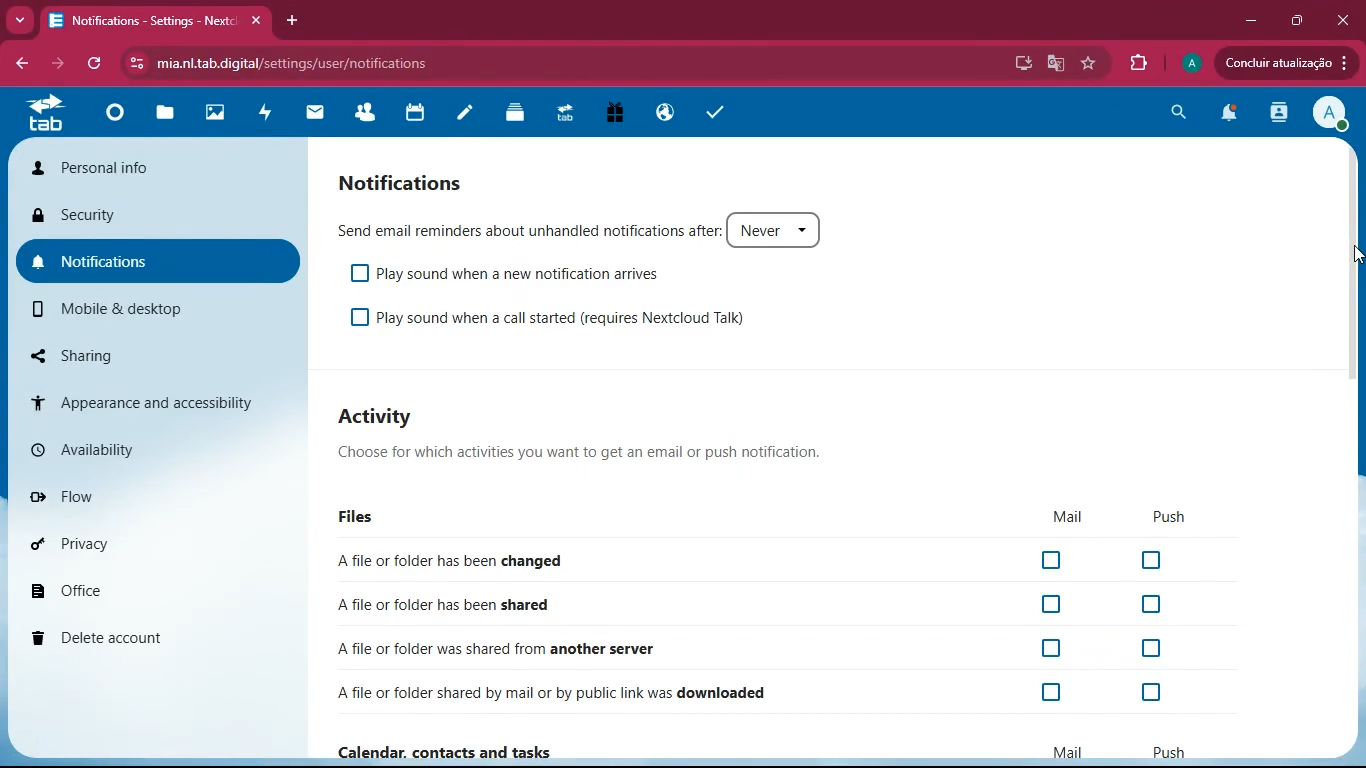 The height and width of the screenshot is (768, 1366). Describe the element at coordinates (1296, 20) in the screenshot. I see `maximize` at that location.